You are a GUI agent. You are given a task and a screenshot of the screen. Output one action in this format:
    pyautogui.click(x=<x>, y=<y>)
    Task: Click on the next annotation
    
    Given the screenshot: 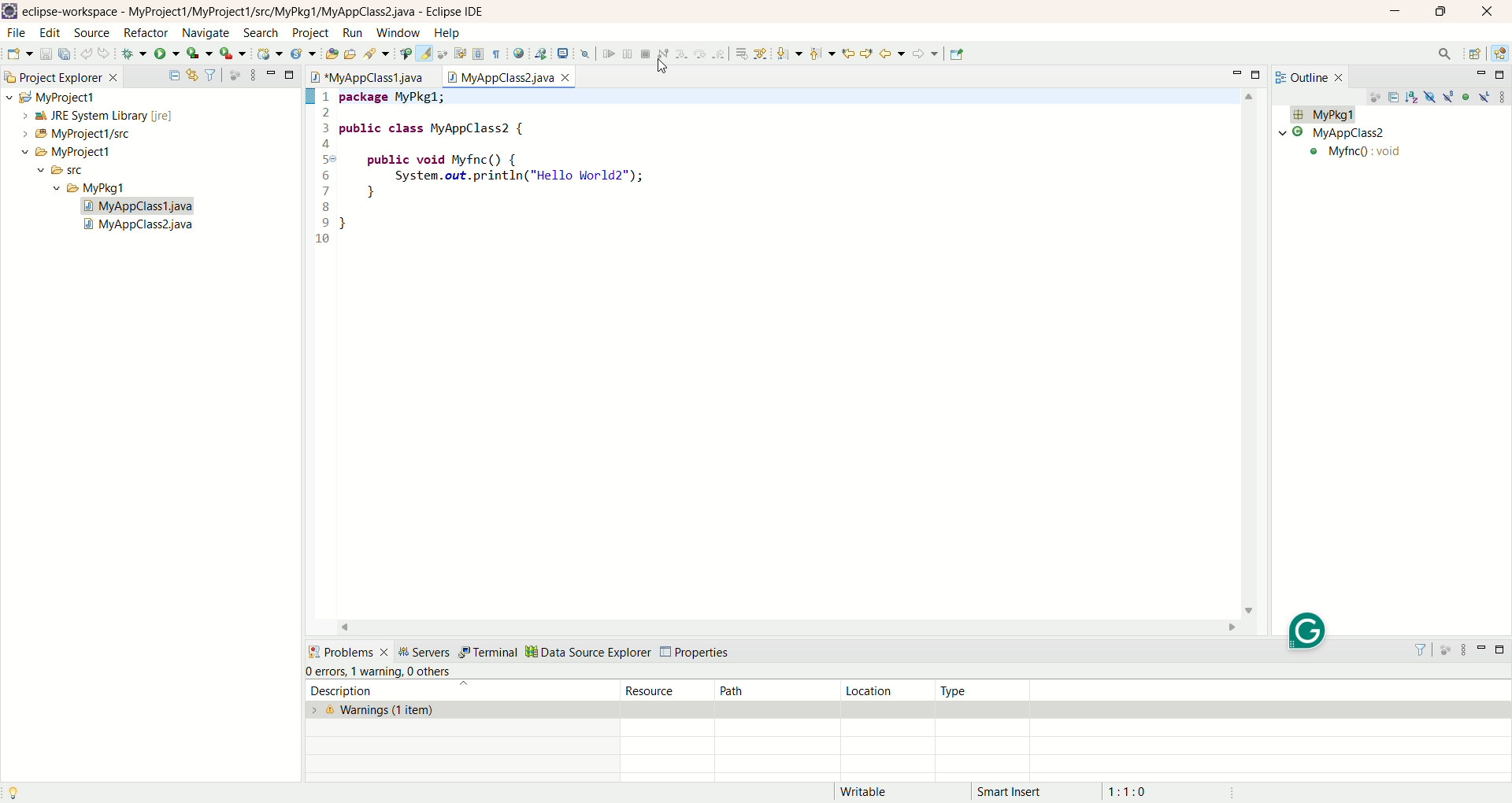 What is the action you would take?
    pyautogui.click(x=790, y=54)
    